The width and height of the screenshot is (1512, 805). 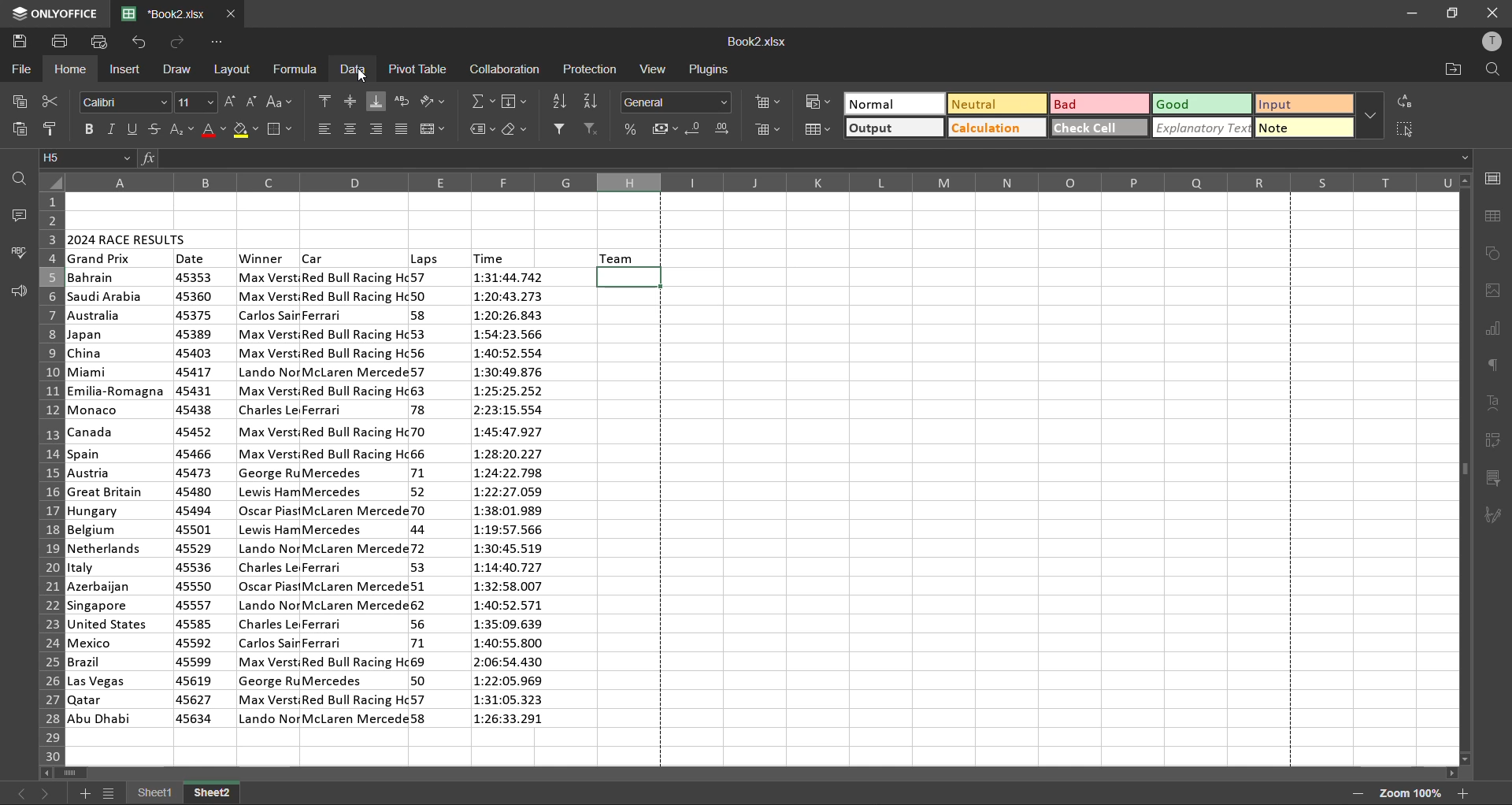 I want to click on sheet names, so click(x=184, y=795).